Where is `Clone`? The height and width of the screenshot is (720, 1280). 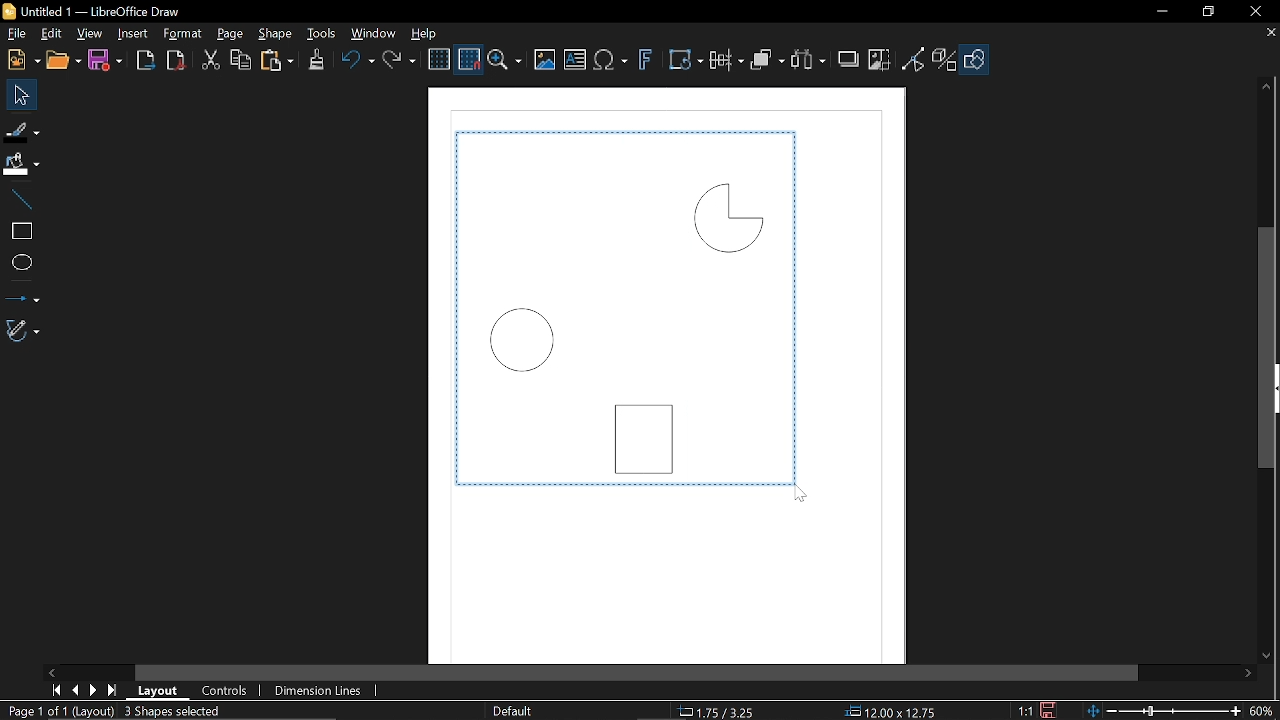
Clone is located at coordinates (315, 60).